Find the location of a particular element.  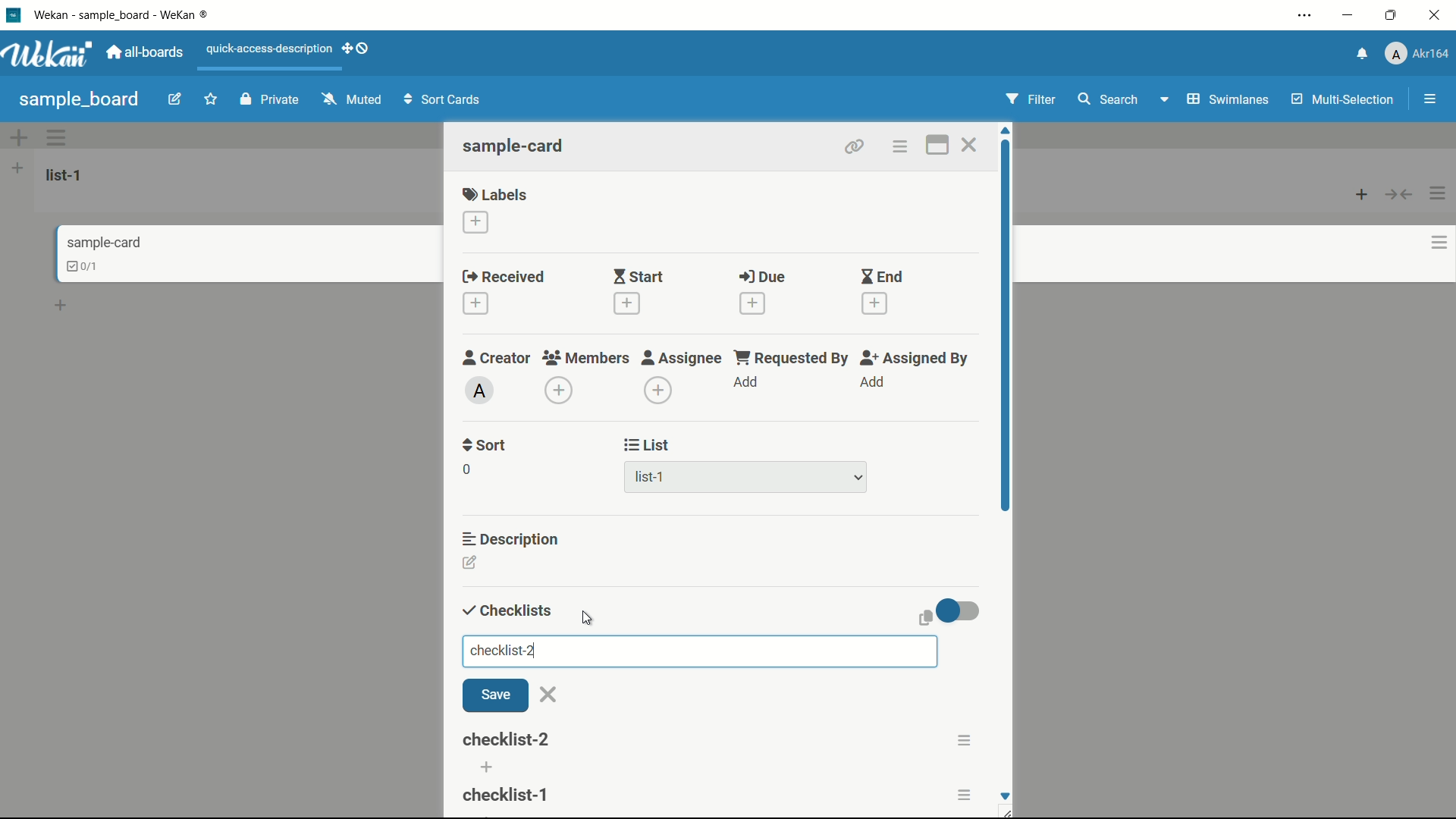

admin is located at coordinates (480, 391).